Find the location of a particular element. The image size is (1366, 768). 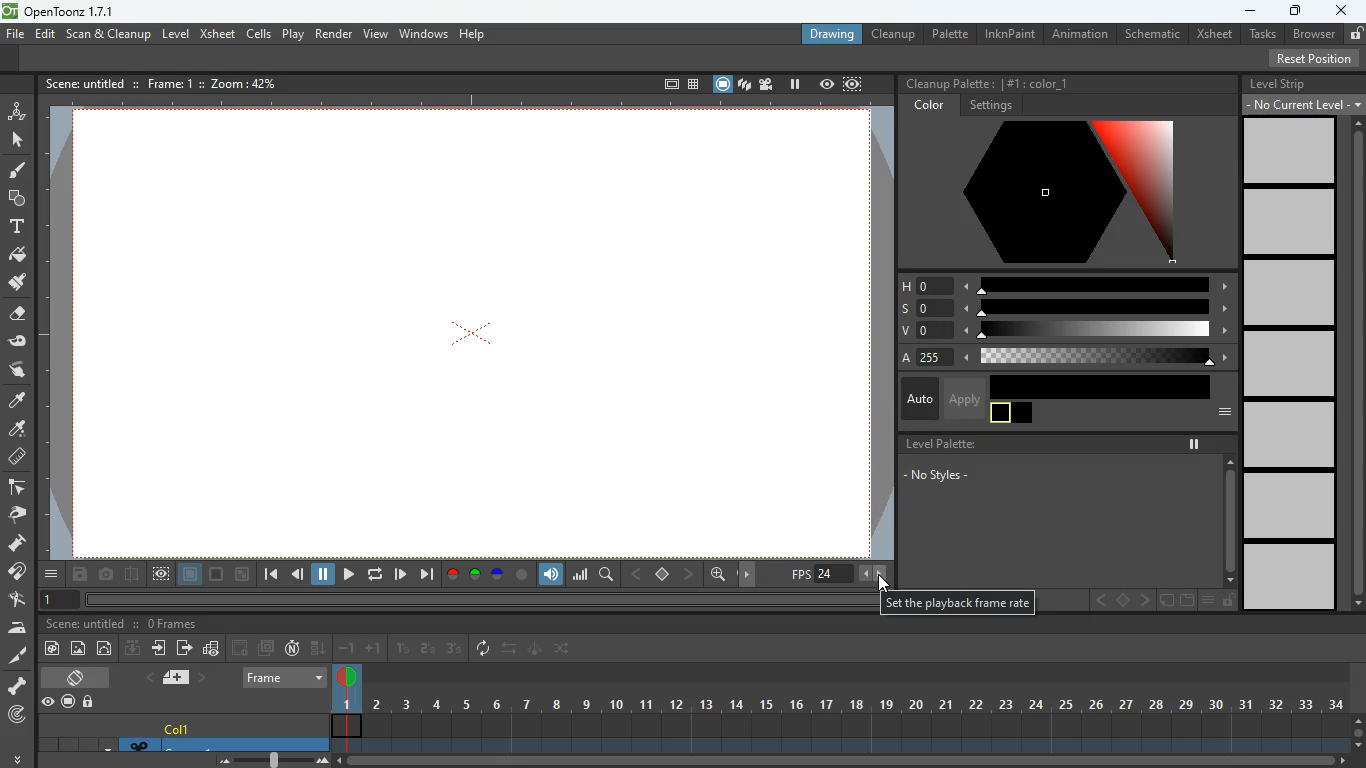

mouse is located at coordinates (17, 140).